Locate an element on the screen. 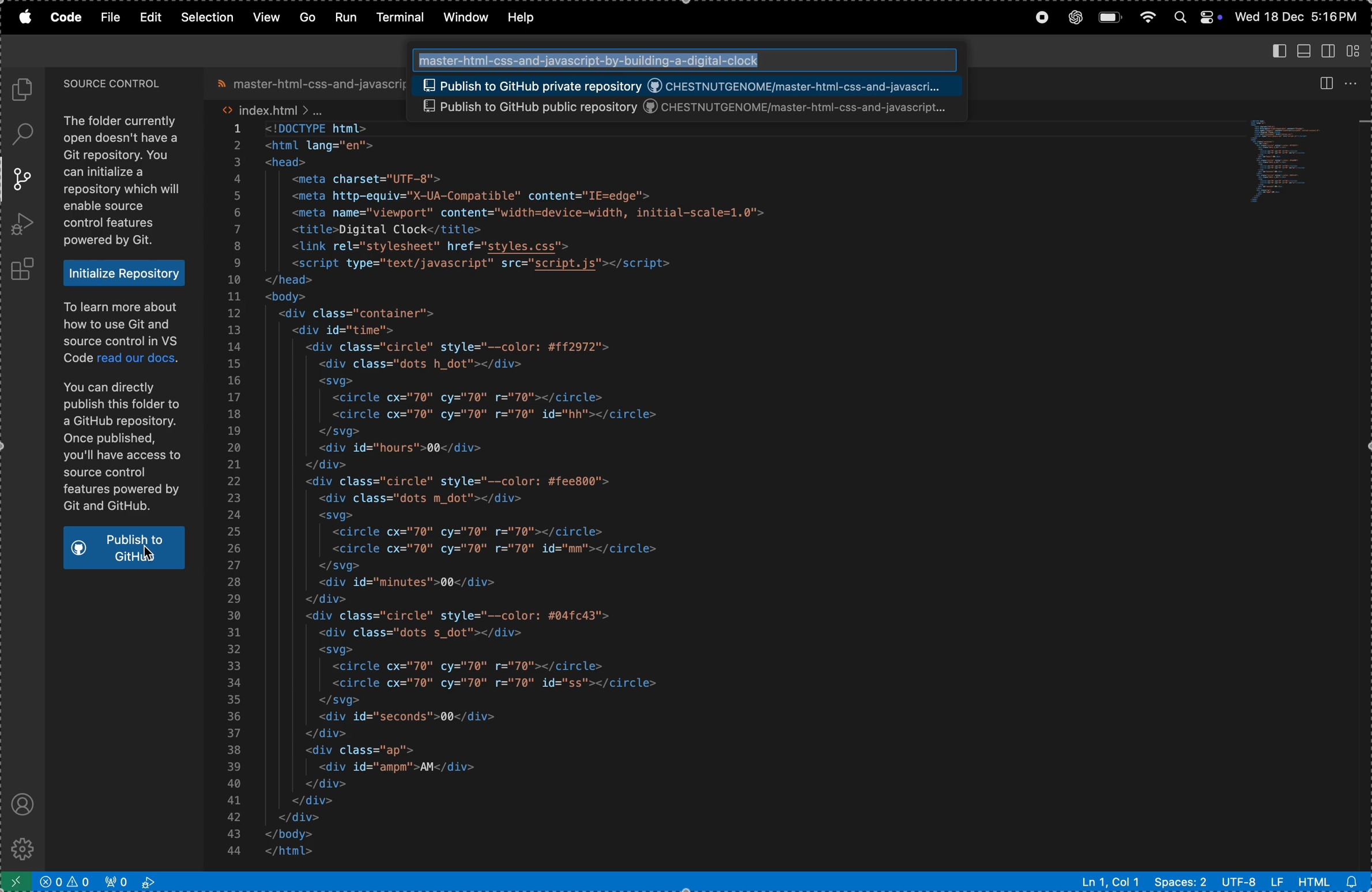 The image size is (1372, 892). <div id="ampm">AM</div> is located at coordinates (404, 767).